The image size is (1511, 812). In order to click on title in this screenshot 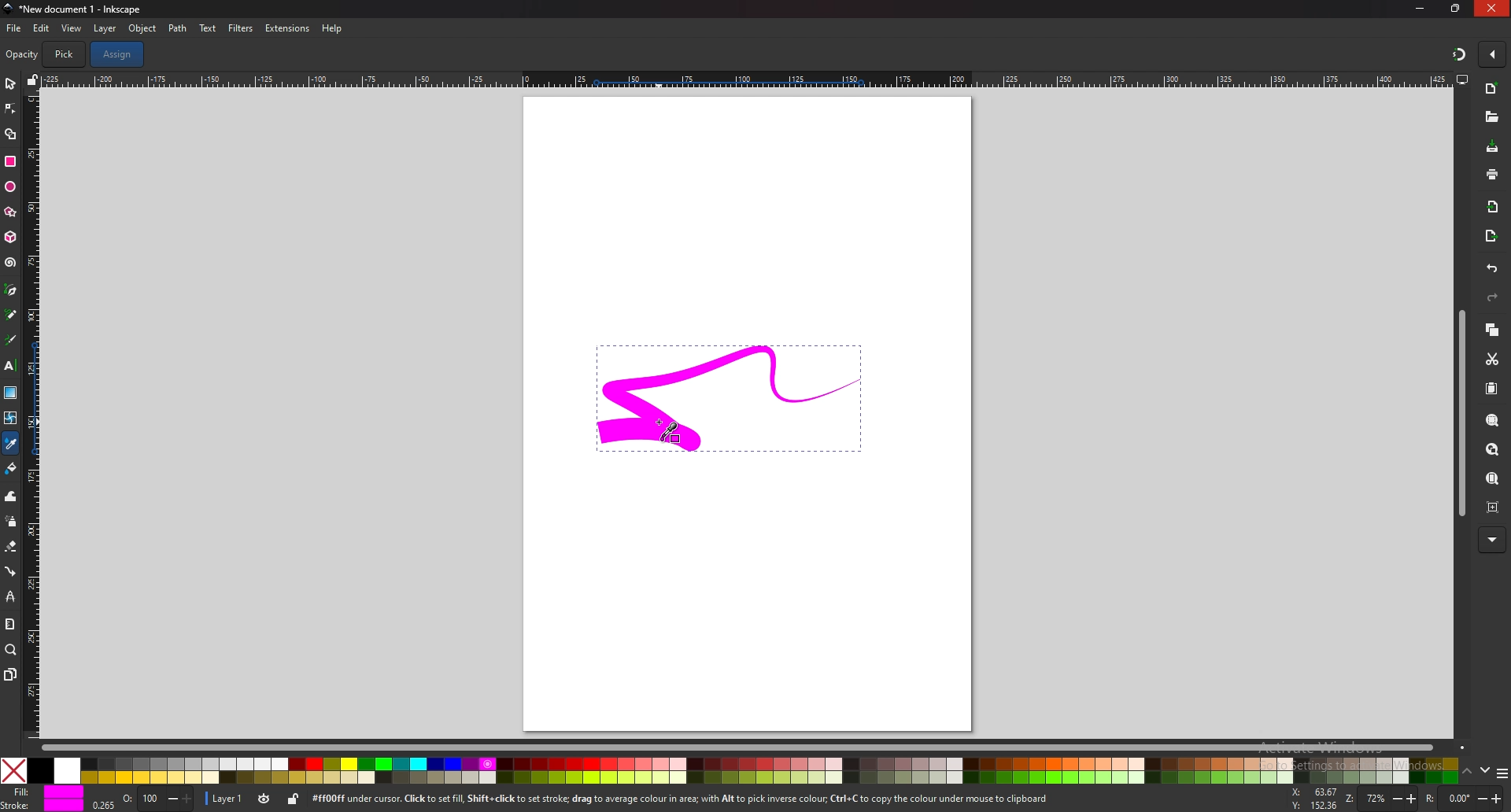, I will do `click(83, 9)`.